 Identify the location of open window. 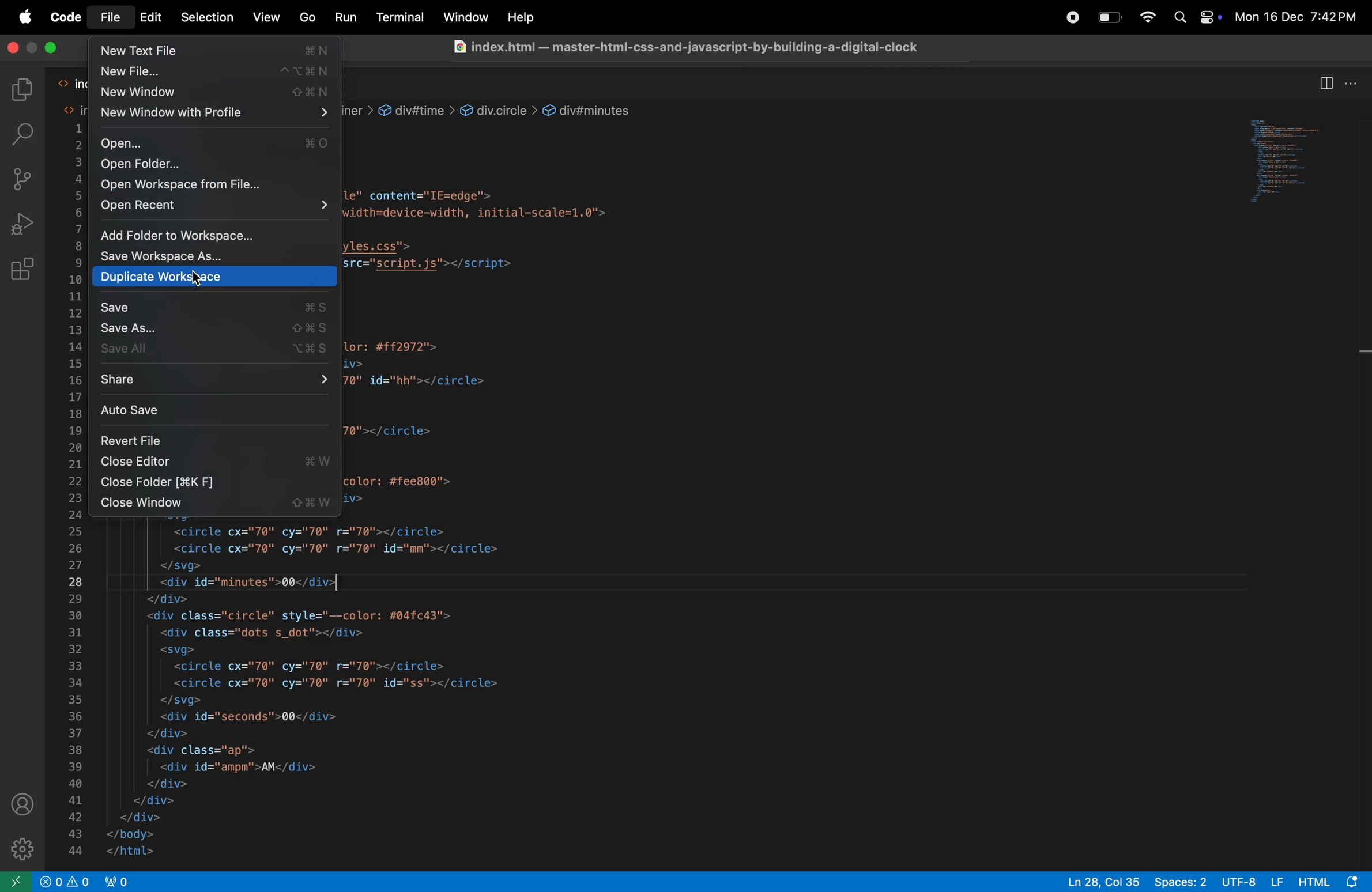
(17, 882).